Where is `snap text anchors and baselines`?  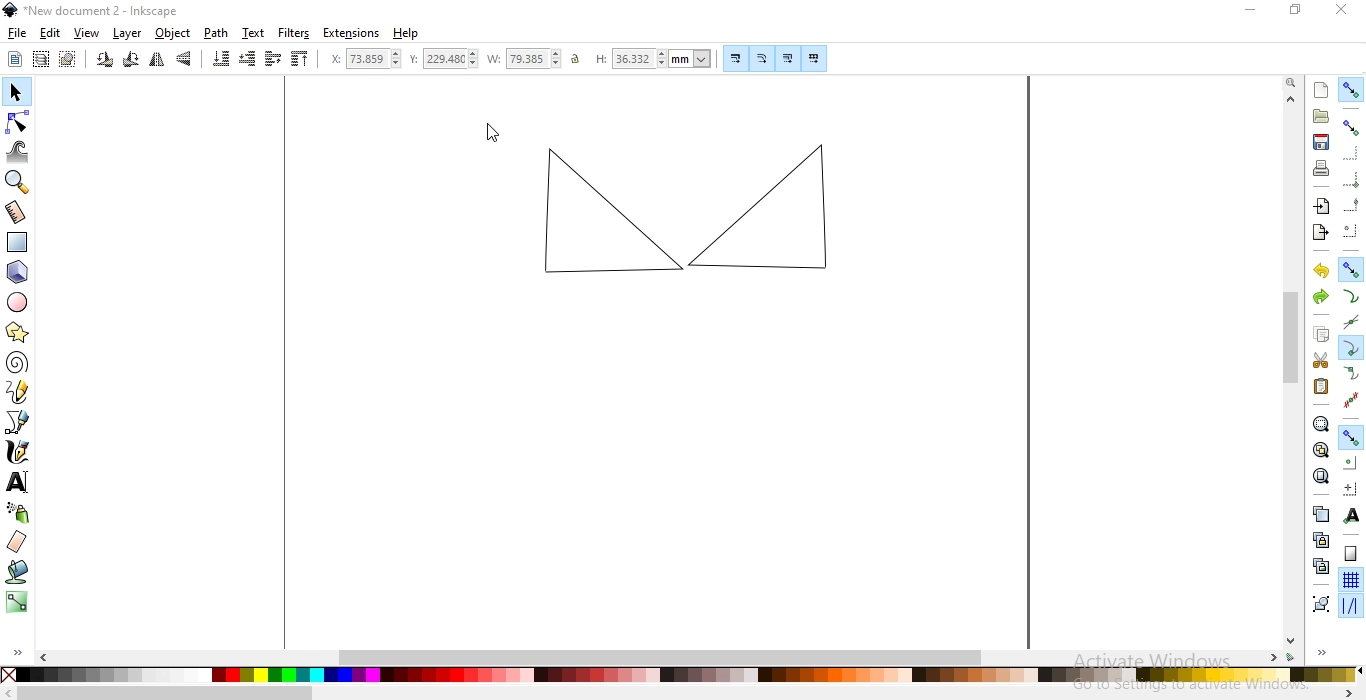
snap text anchors and baselines is located at coordinates (1353, 514).